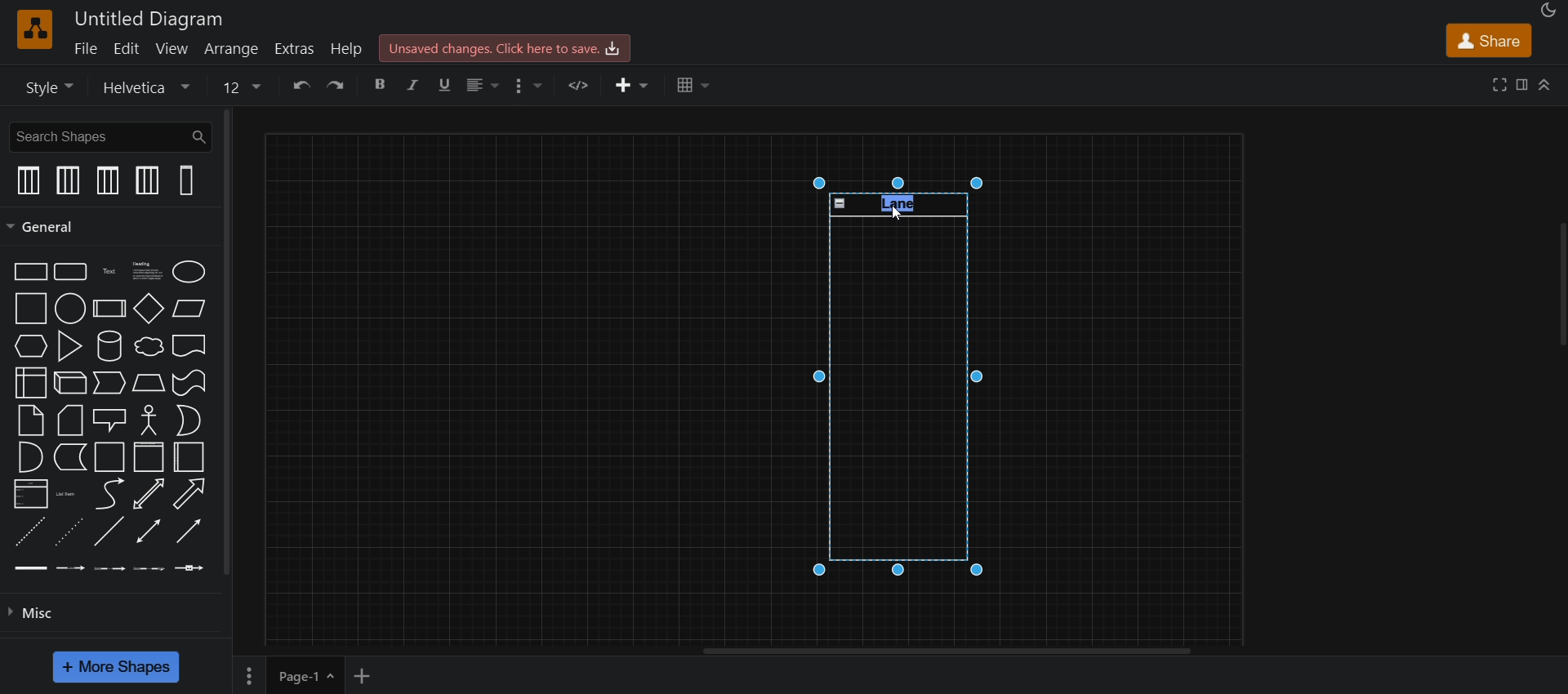 Image resolution: width=1568 pixels, height=694 pixels. What do you see at coordinates (145, 384) in the screenshot?
I see `trapezoind` at bounding box center [145, 384].